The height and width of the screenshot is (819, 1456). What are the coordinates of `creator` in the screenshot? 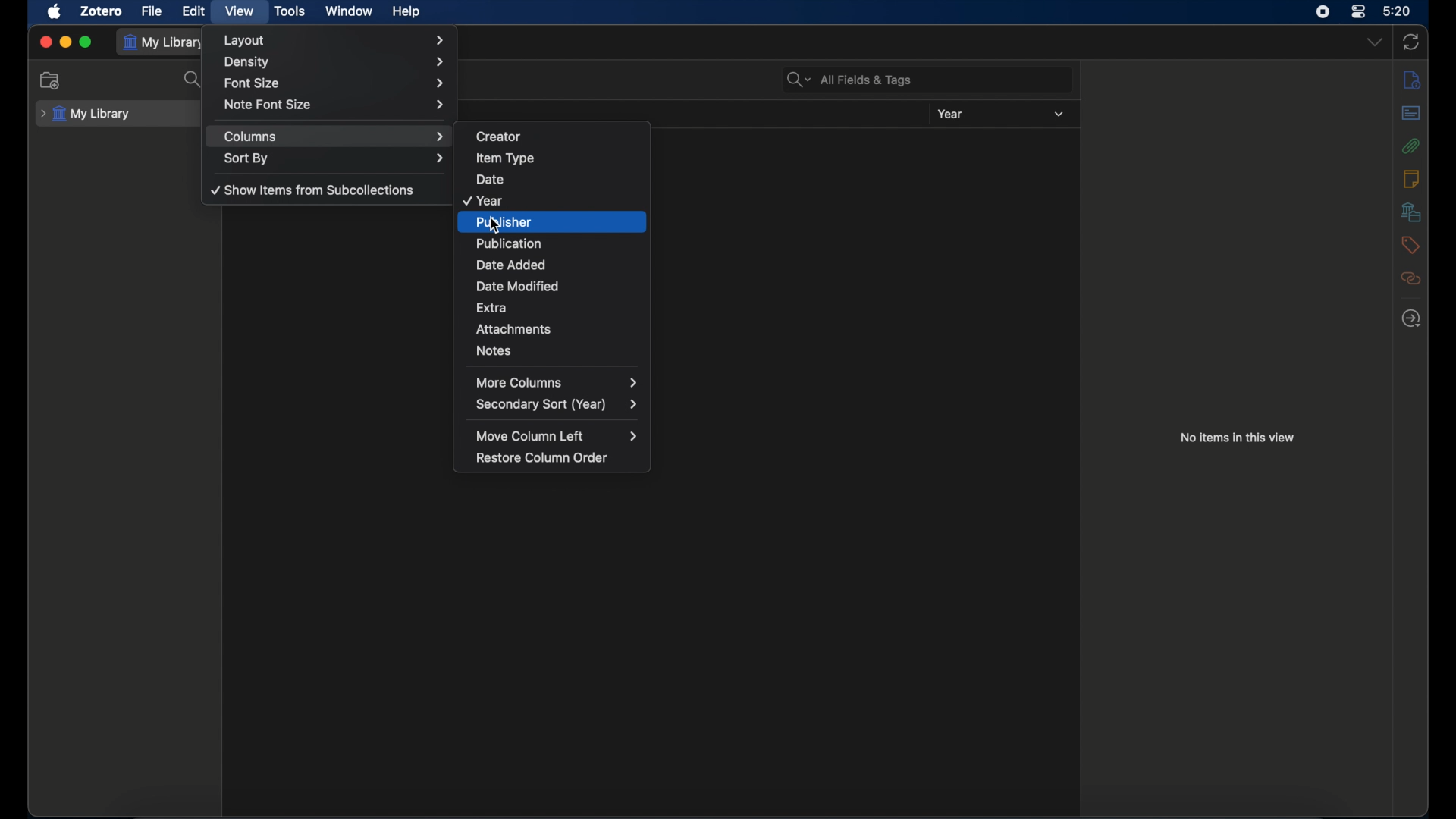 It's located at (560, 133).